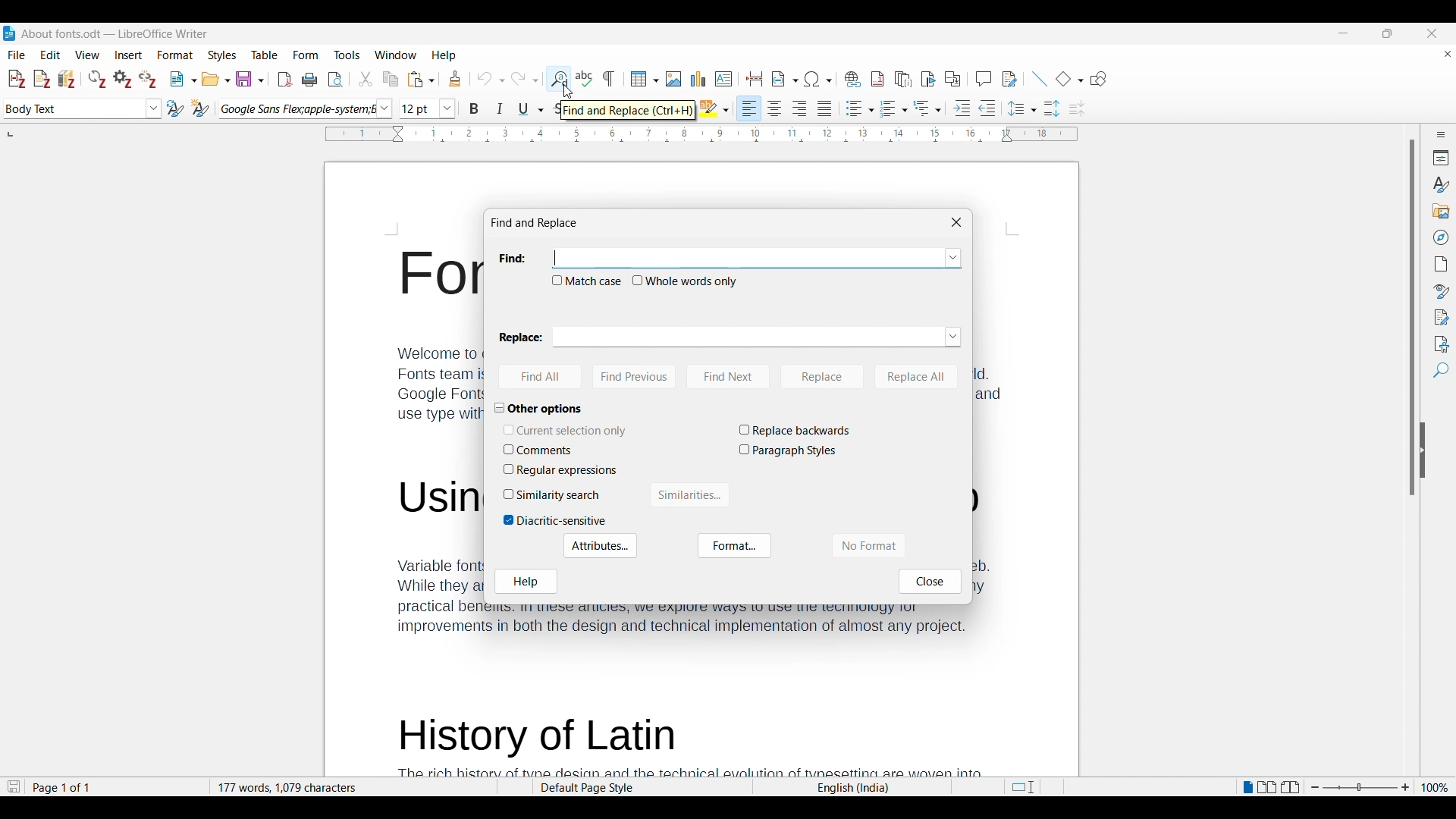 This screenshot has height=819, width=1456. Describe the element at coordinates (686, 281) in the screenshot. I see `Toggle for whole words only` at that location.